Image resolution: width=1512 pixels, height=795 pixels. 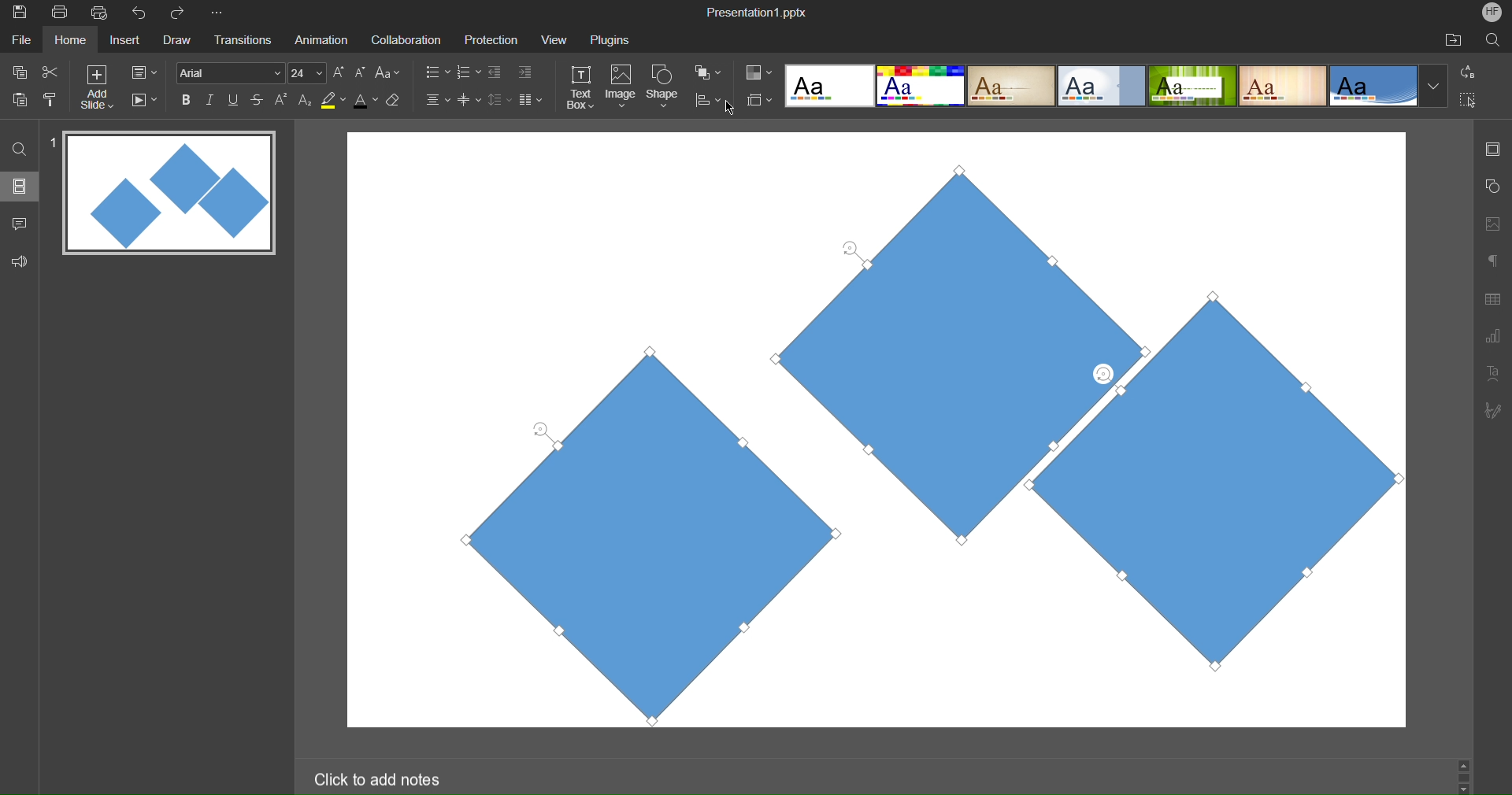 What do you see at coordinates (143, 101) in the screenshot?
I see `Playback` at bounding box center [143, 101].